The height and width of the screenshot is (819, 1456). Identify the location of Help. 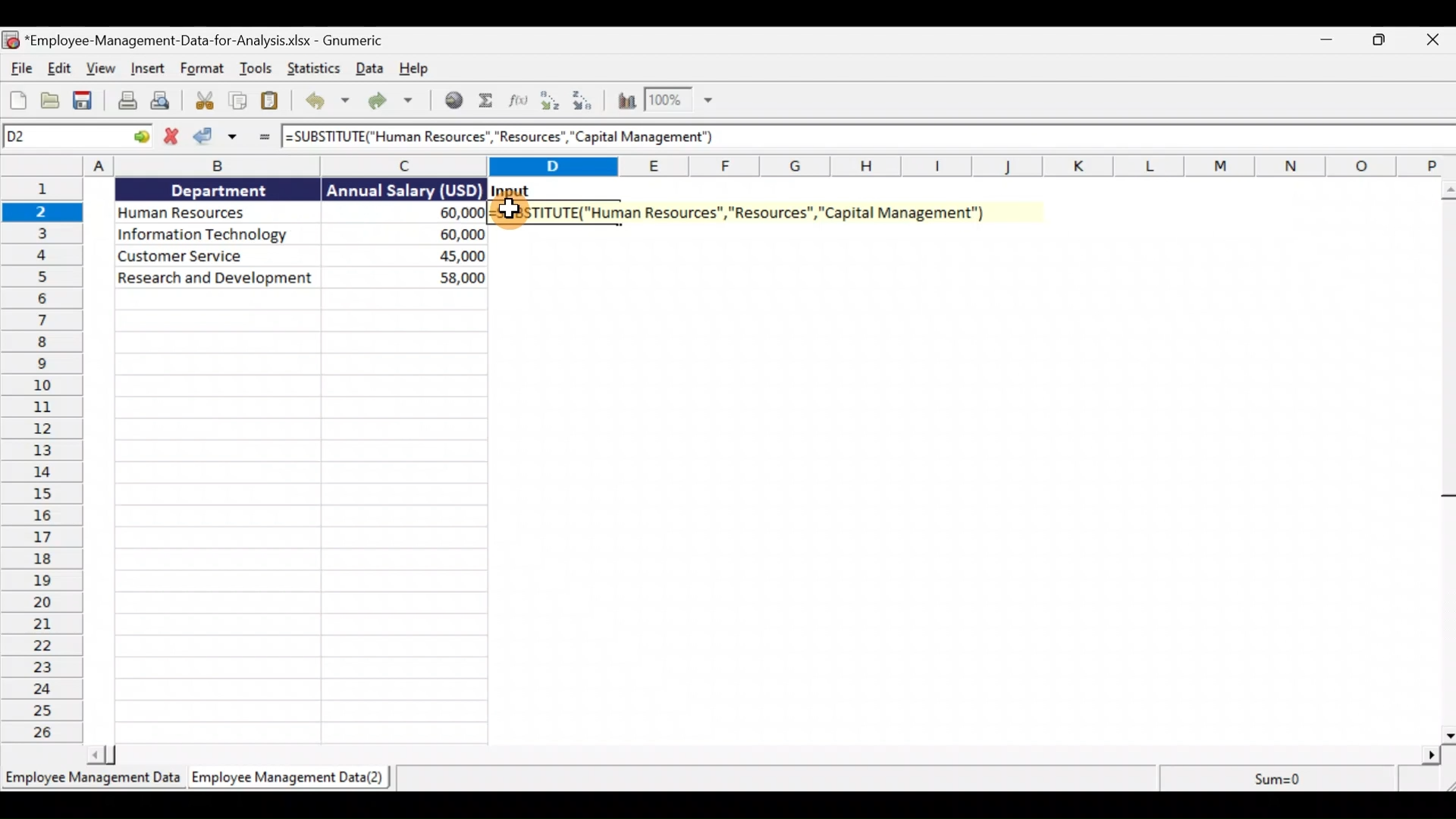
(418, 69).